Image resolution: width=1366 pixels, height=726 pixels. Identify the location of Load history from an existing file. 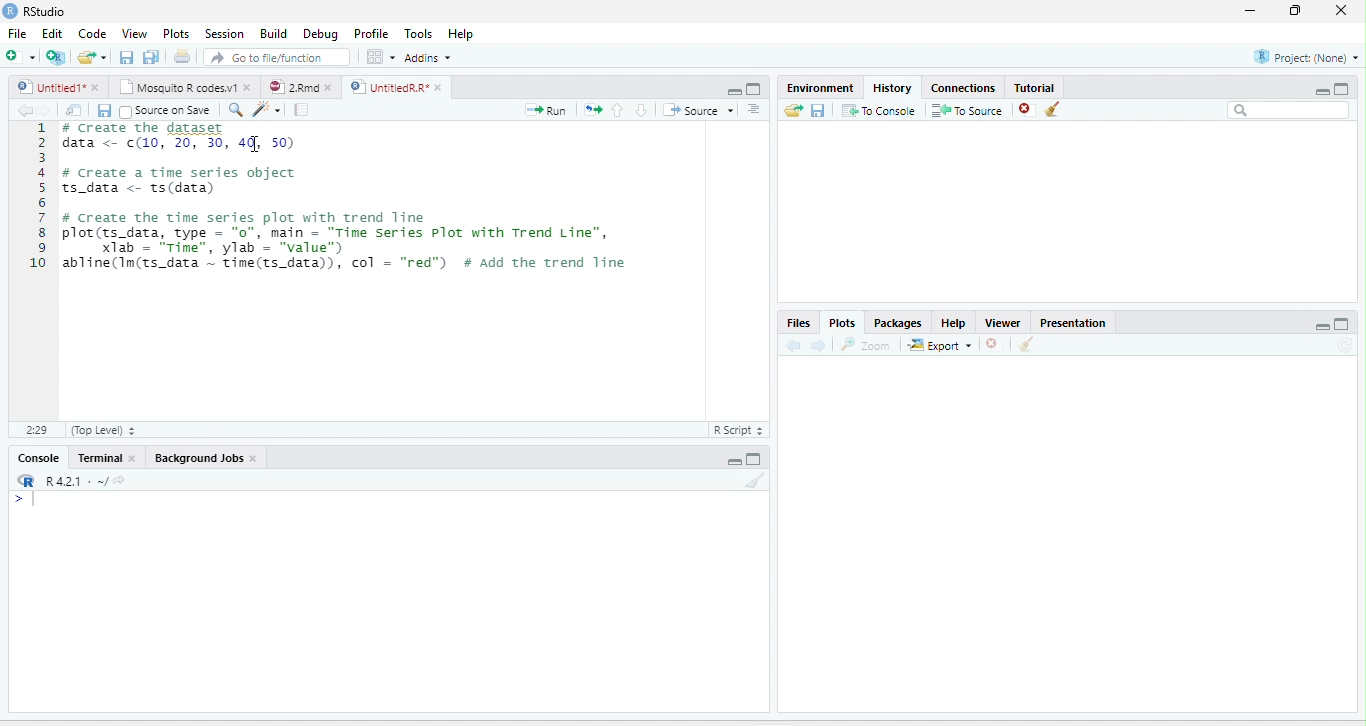
(793, 110).